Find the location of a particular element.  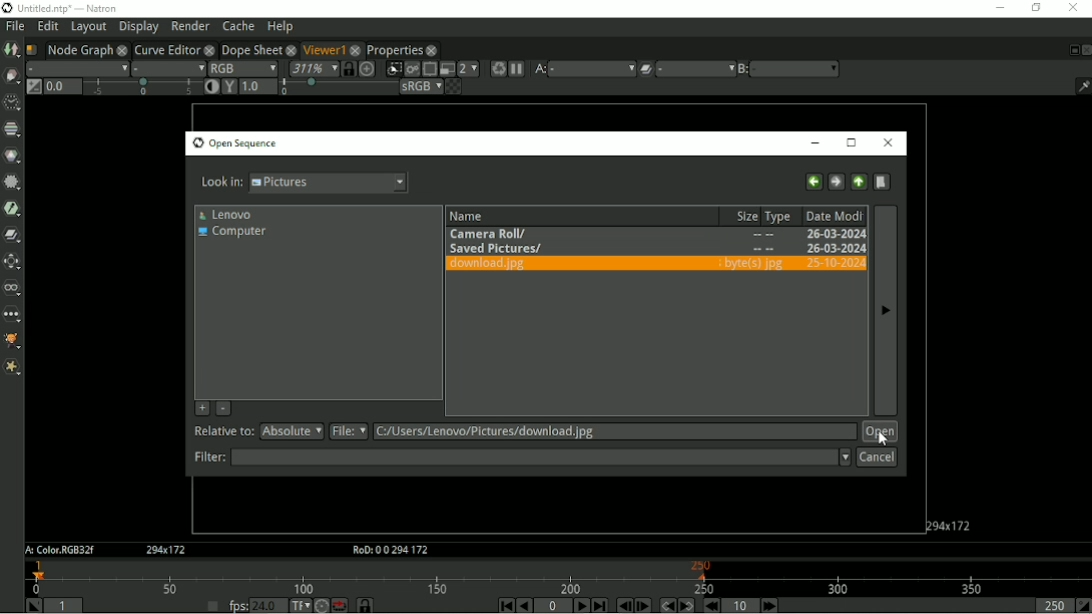

Set the playback out point at the current frame is located at coordinates (1083, 606).